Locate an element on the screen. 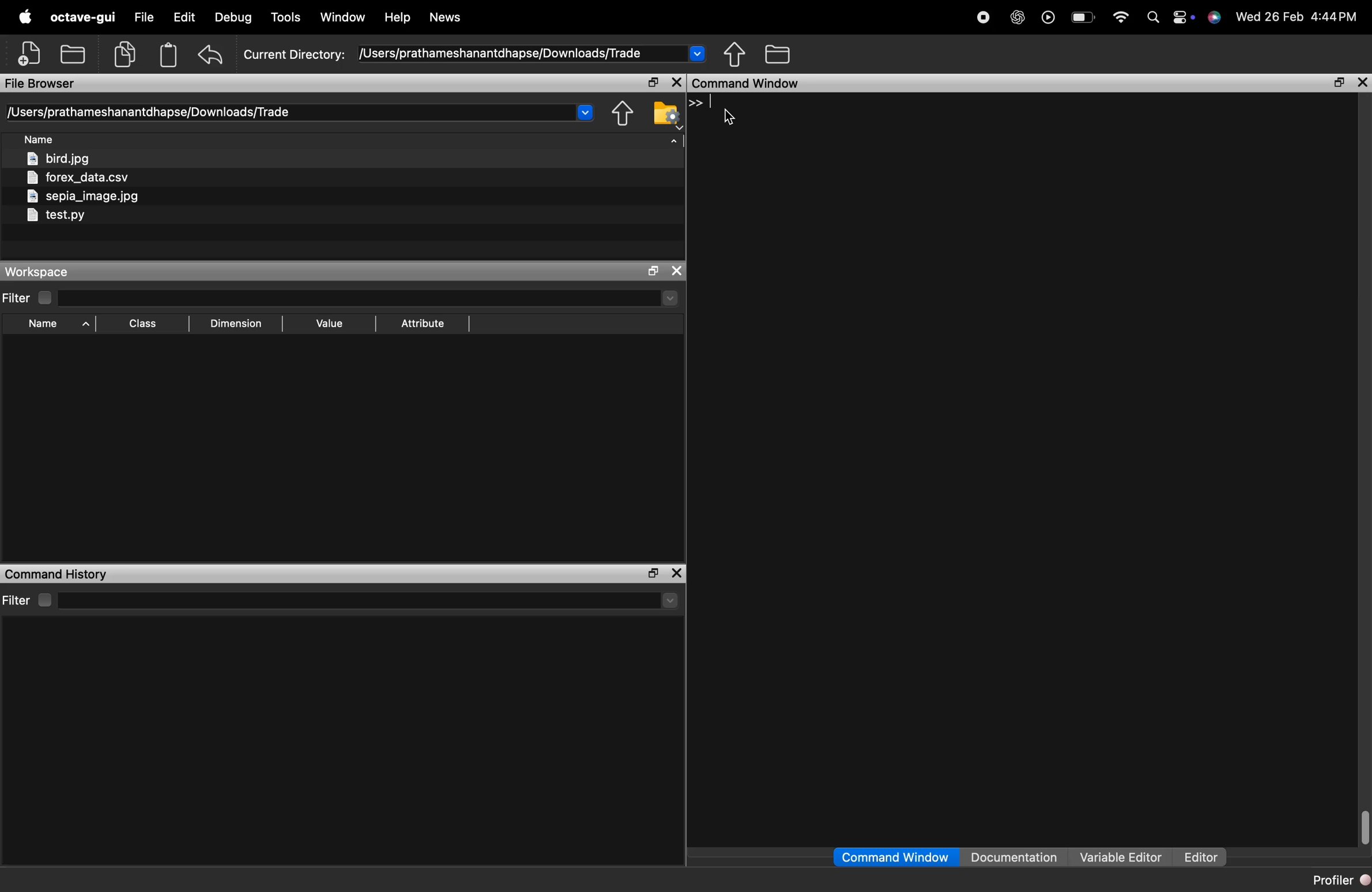  Wed 26 Feb 4:44PM is located at coordinates (1298, 17).